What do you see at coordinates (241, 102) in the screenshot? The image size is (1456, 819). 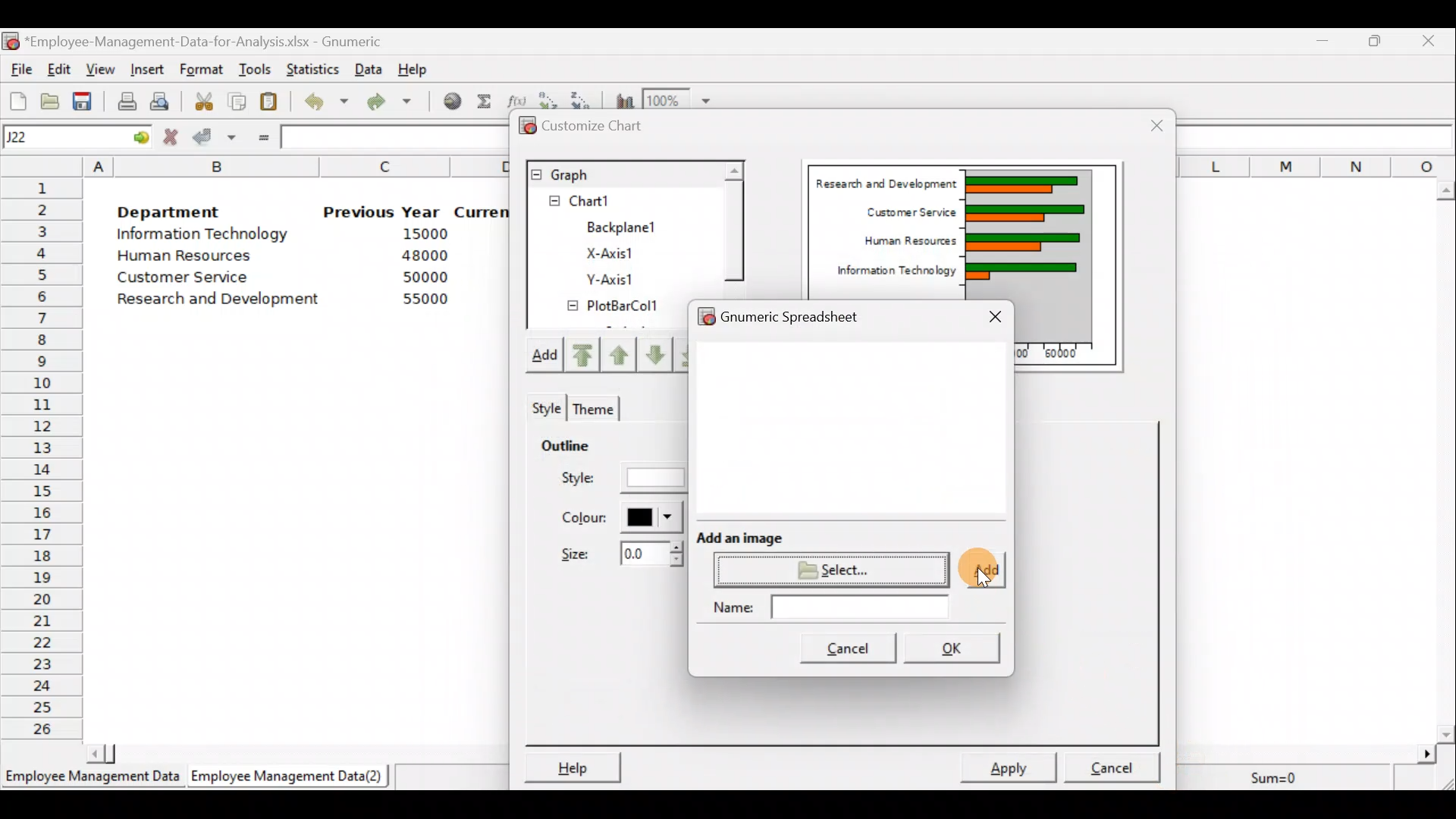 I see `Copy the selection` at bounding box center [241, 102].